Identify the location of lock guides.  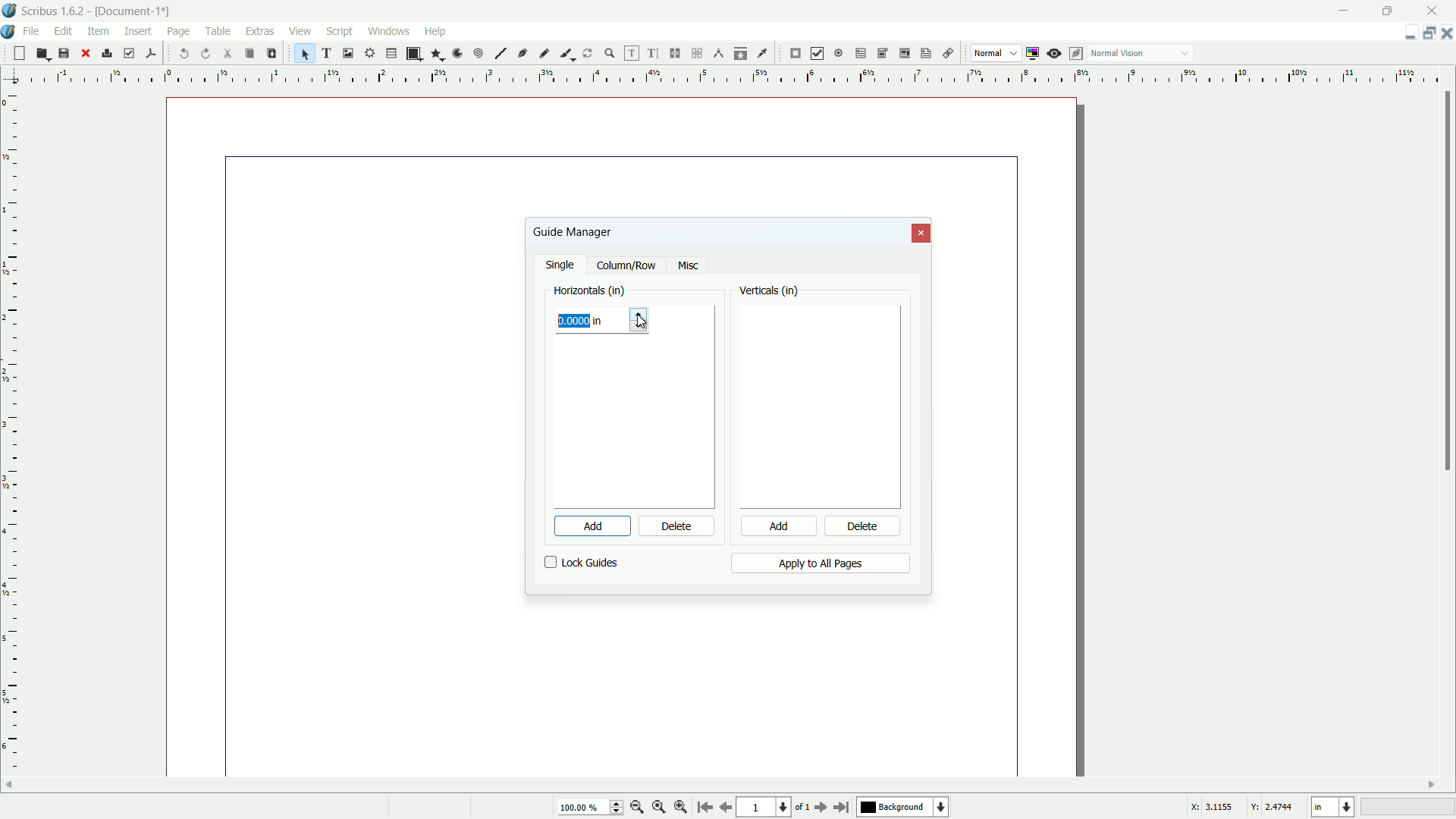
(582, 563).